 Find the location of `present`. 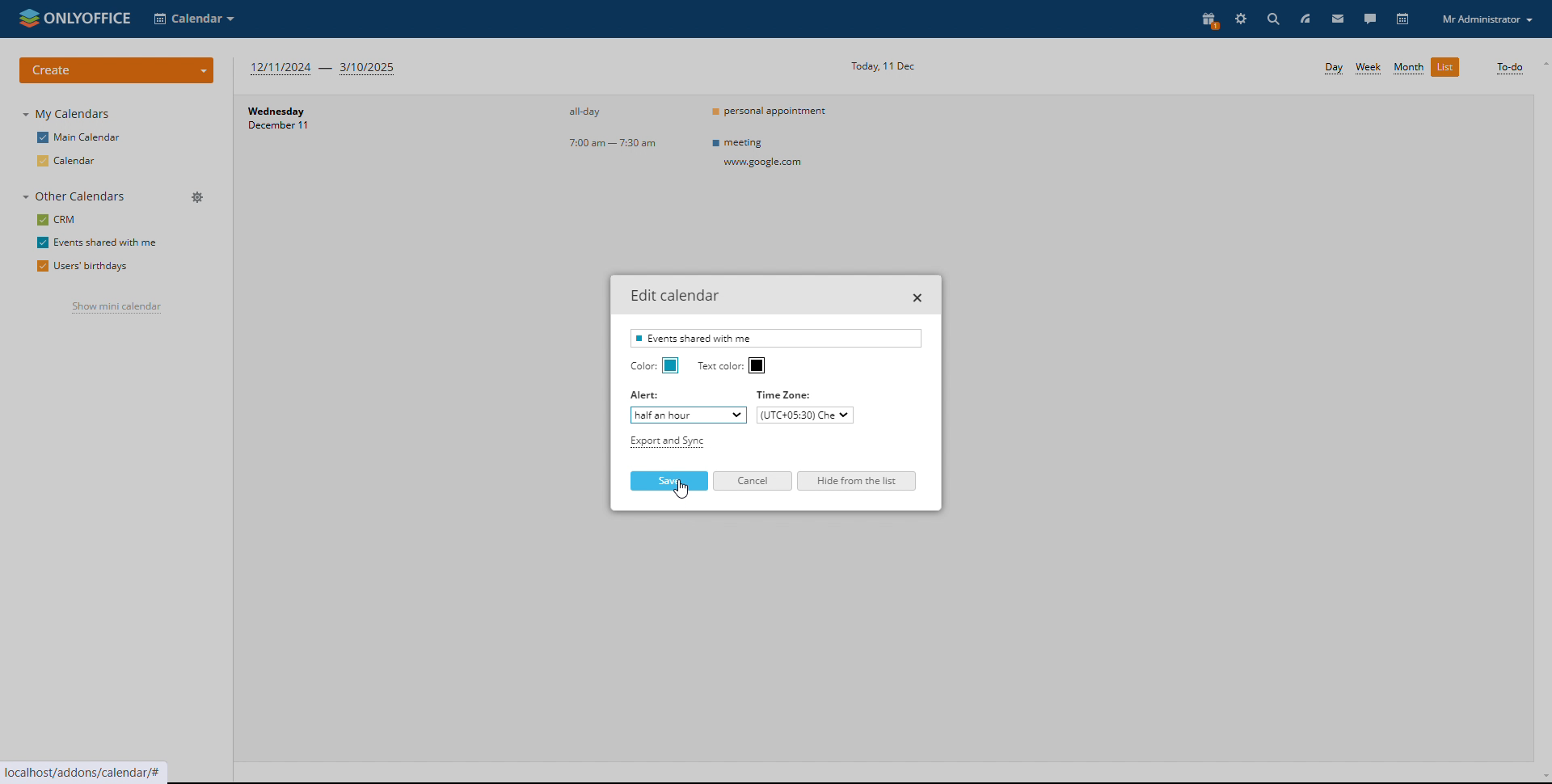

present is located at coordinates (1207, 18).